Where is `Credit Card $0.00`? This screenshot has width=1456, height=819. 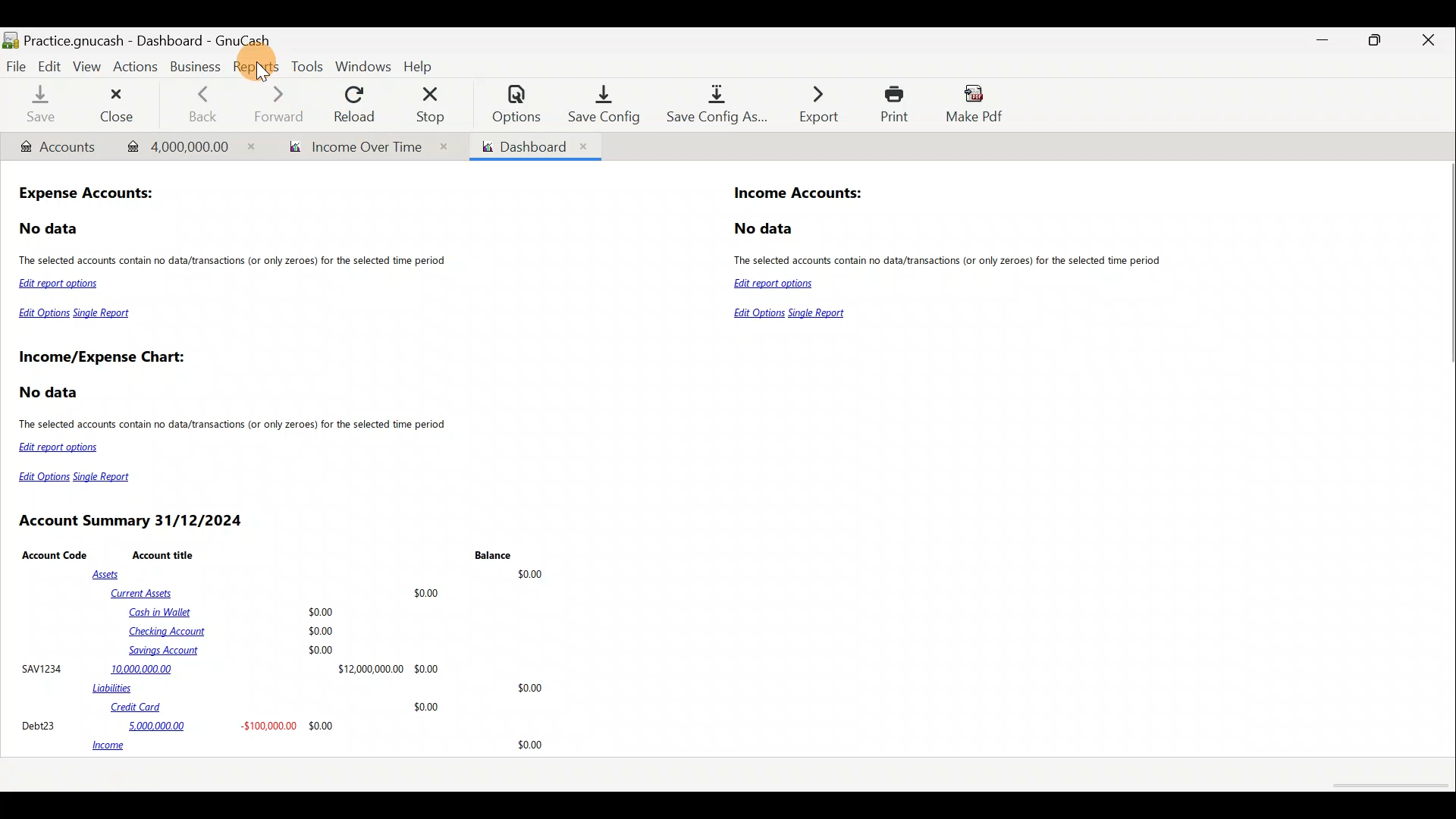 Credit Card $0.00 is located at coordinates (276, 708).